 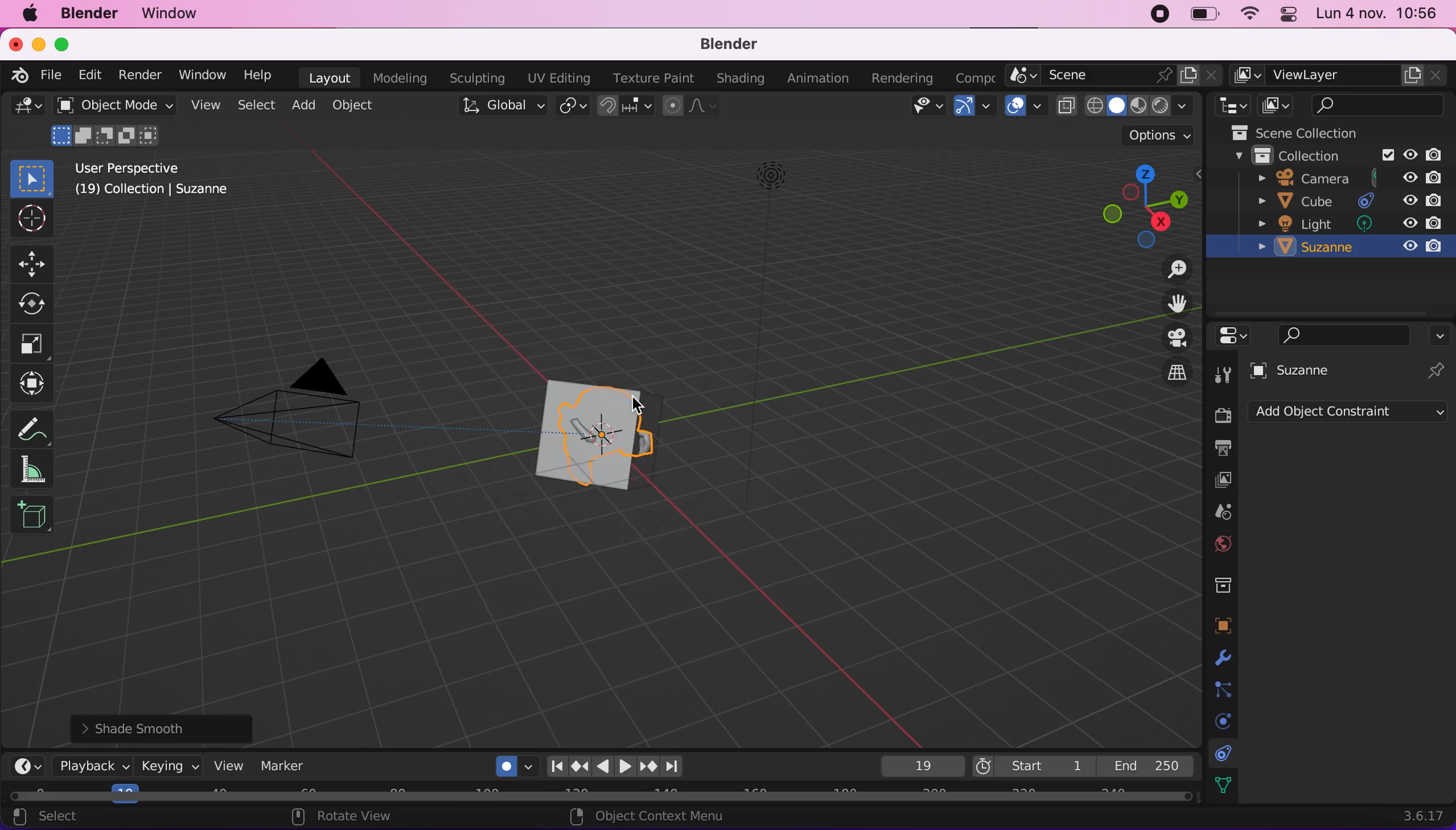 What do you see at coordinates (1234, 337) in the screenshot?
I see `editor type` at bounding box center [1234, 337].